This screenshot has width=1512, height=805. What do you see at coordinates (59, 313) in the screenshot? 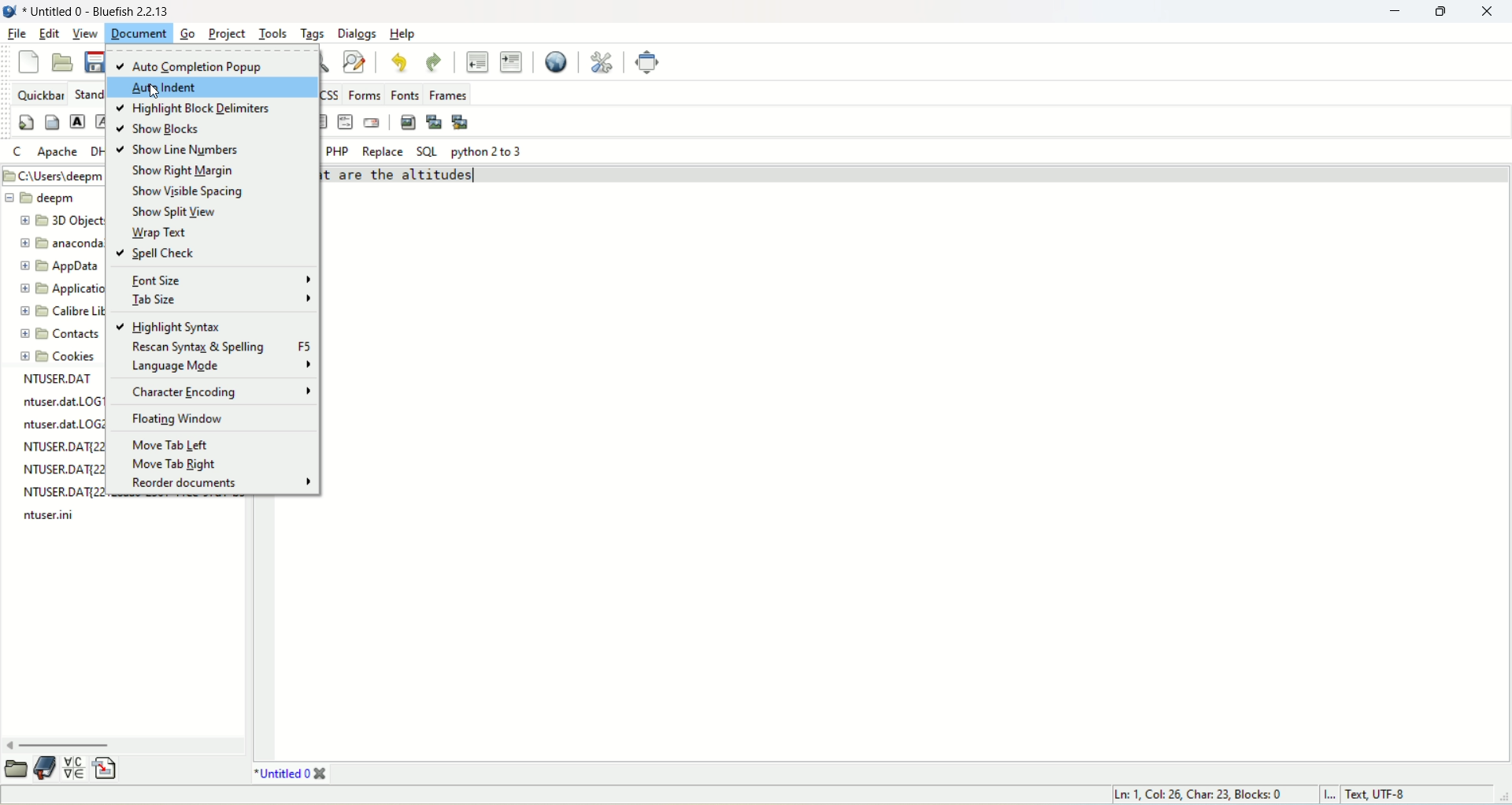
I see `calibre` at bounding box center [59, 313].